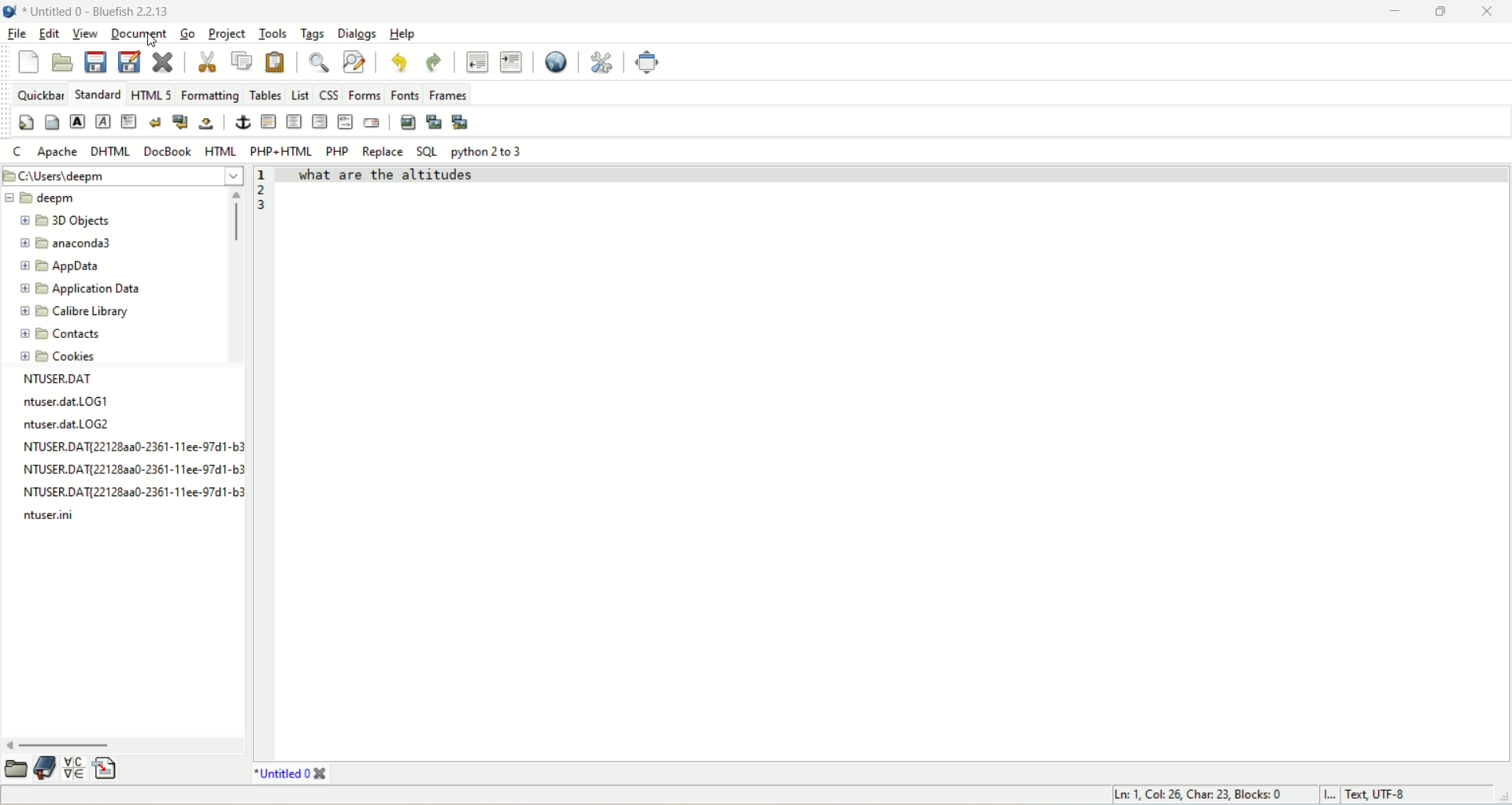 This screenshot has width=1512, height=805. Describe the element at coordinates (293, 122) in the screenshot. I see `center` at that location.